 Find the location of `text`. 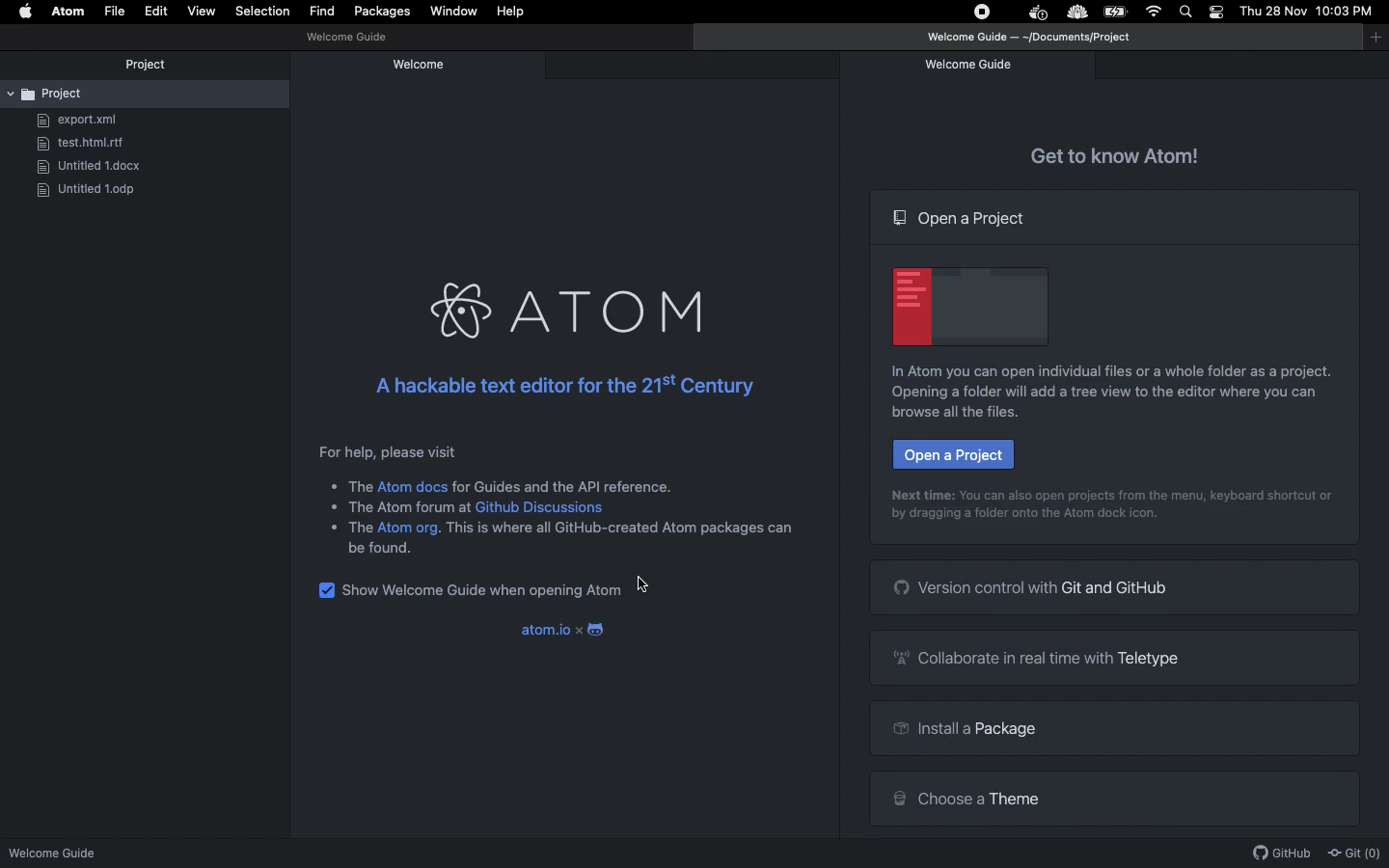

text is located at coordinates (359, 528).